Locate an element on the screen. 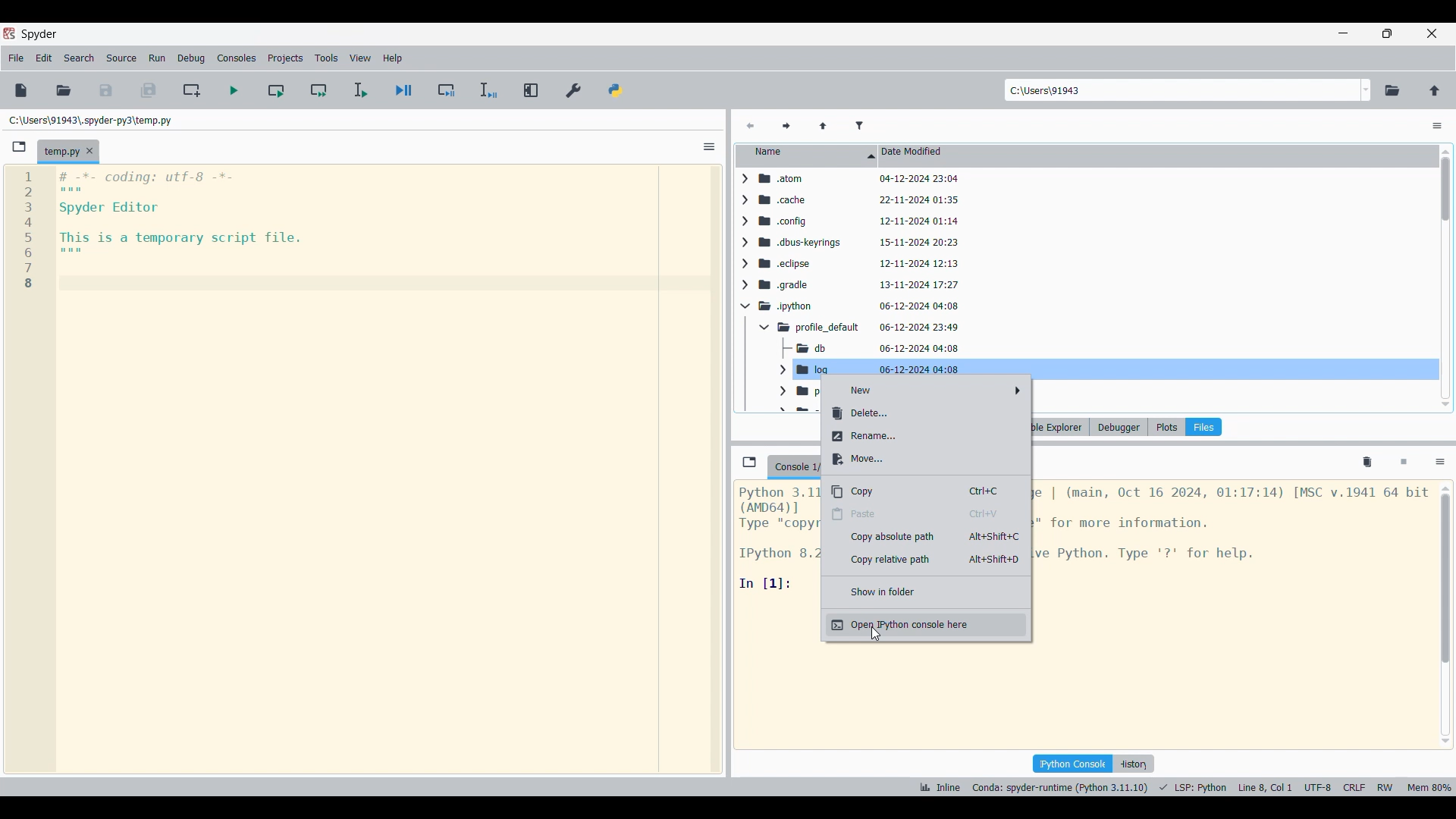 The image size is (1456, 819). Files highlighted as current selection is located at coordinates (1203, 427).